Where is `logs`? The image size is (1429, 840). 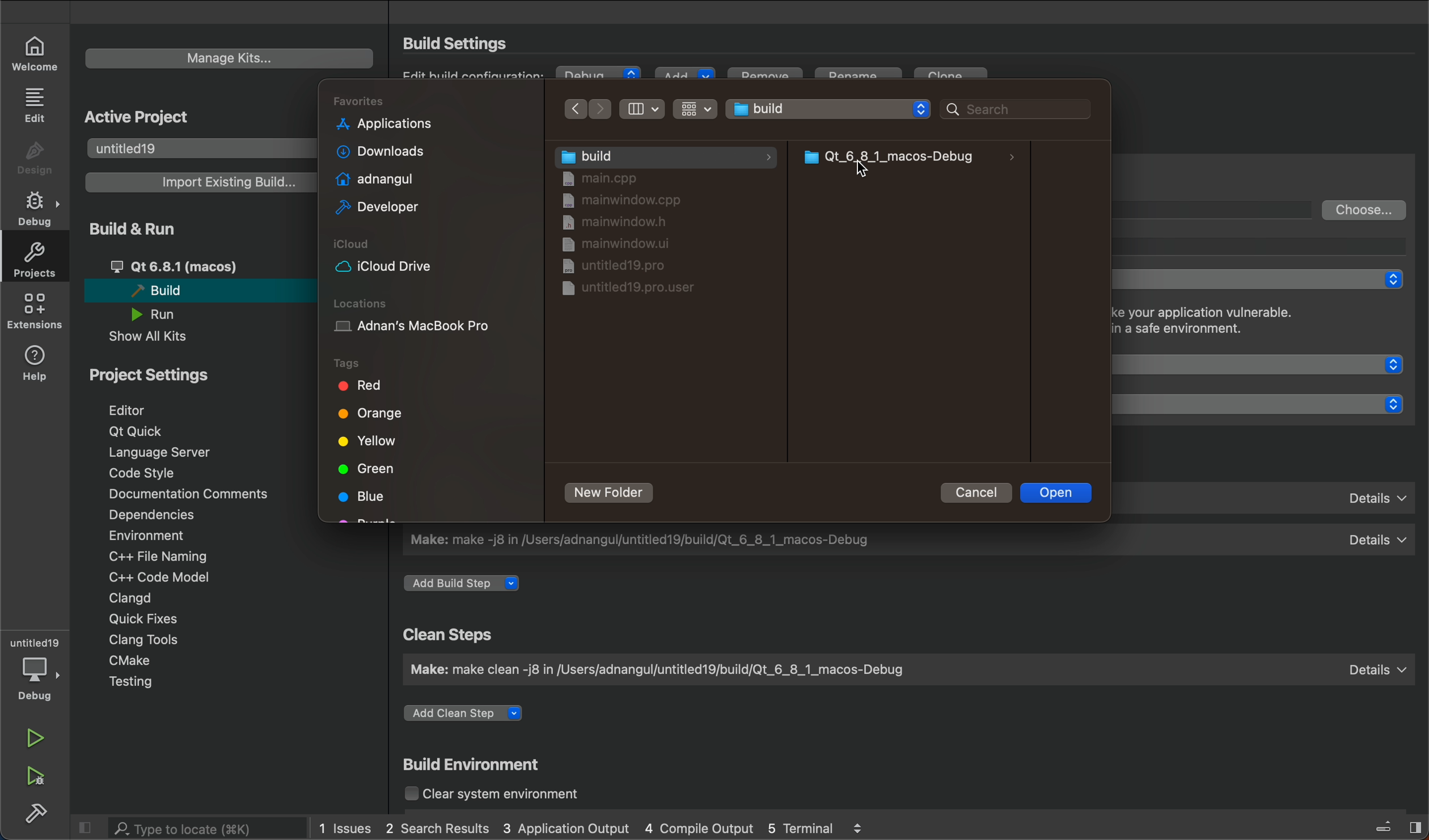 logs is located at coordinates (591, 829).